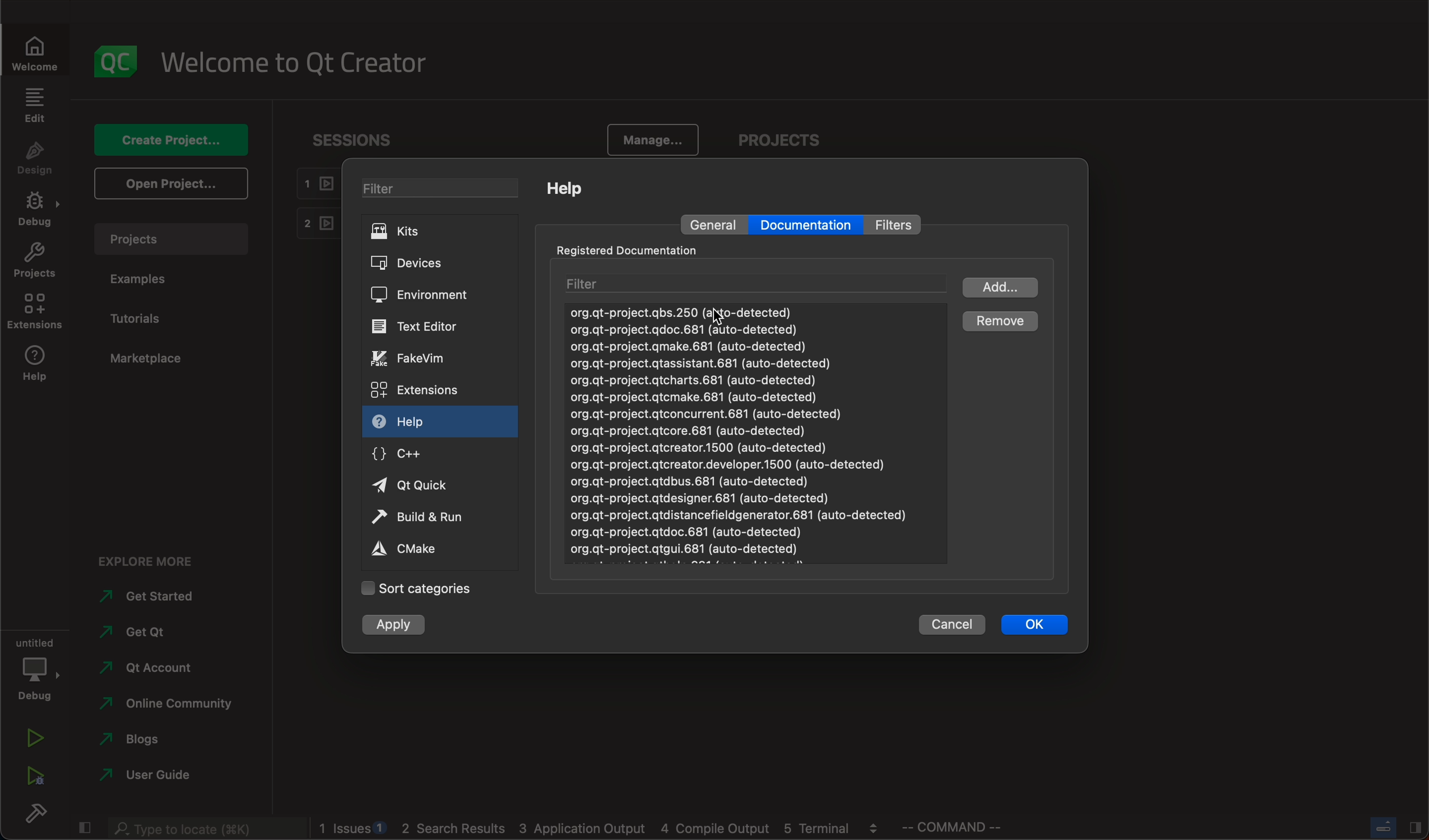  Describe the element at coordinates (146, 359) in the screenshot. I see `marketplace` at that location.